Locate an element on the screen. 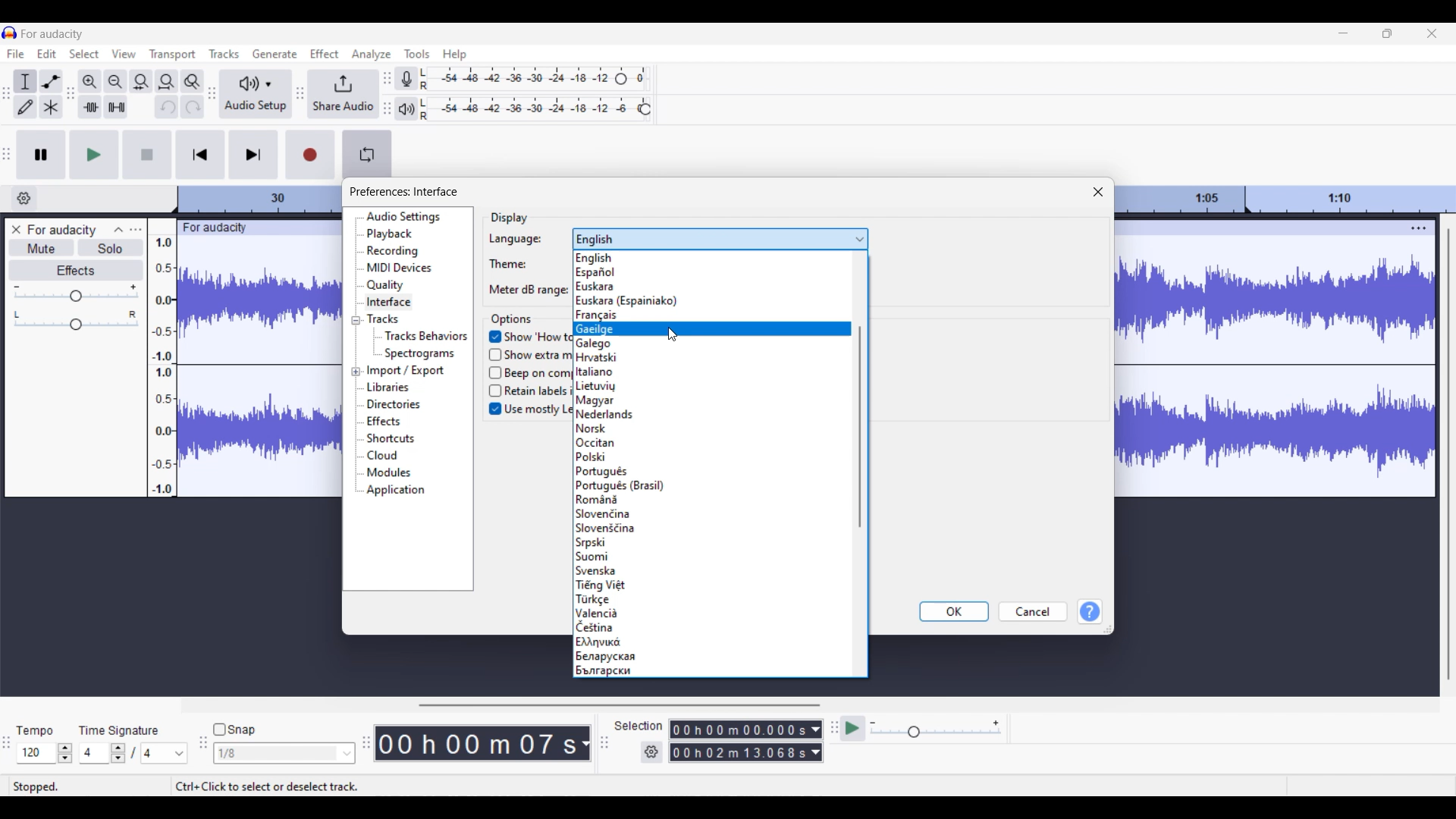  Application is located at coordinates (396, 491).